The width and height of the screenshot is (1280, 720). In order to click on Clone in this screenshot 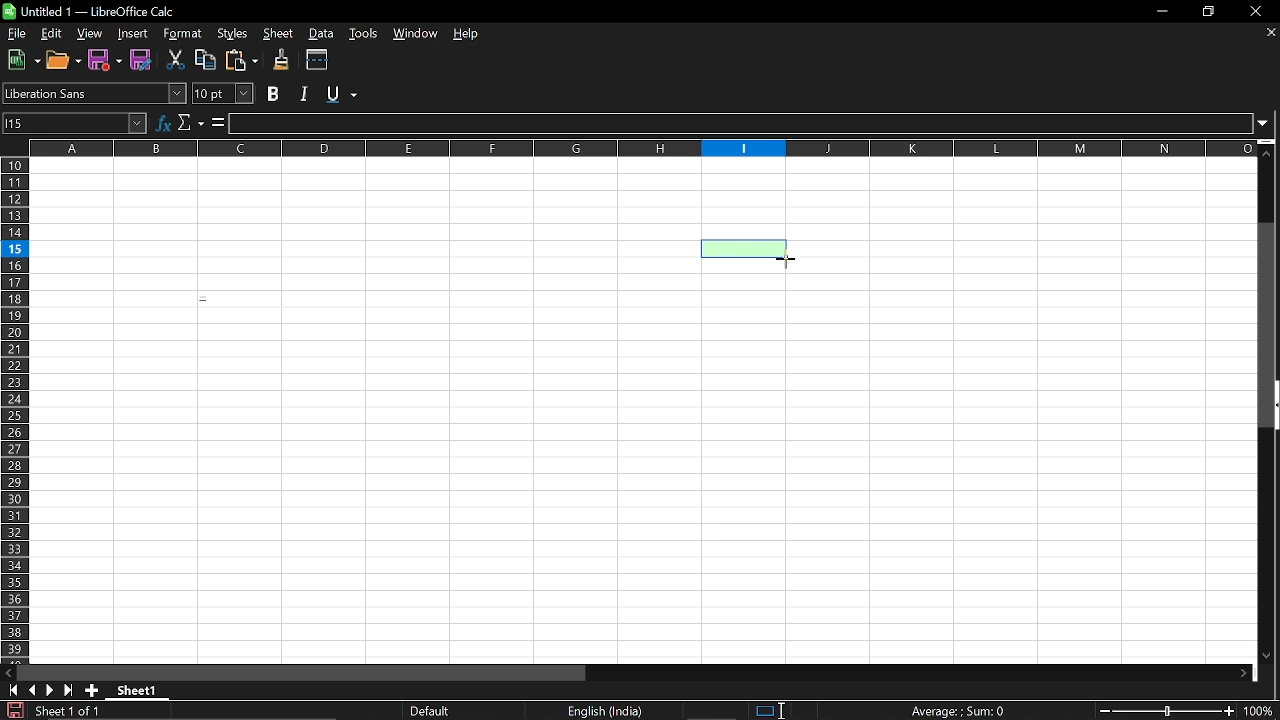, I will do `click(283, 60)`.